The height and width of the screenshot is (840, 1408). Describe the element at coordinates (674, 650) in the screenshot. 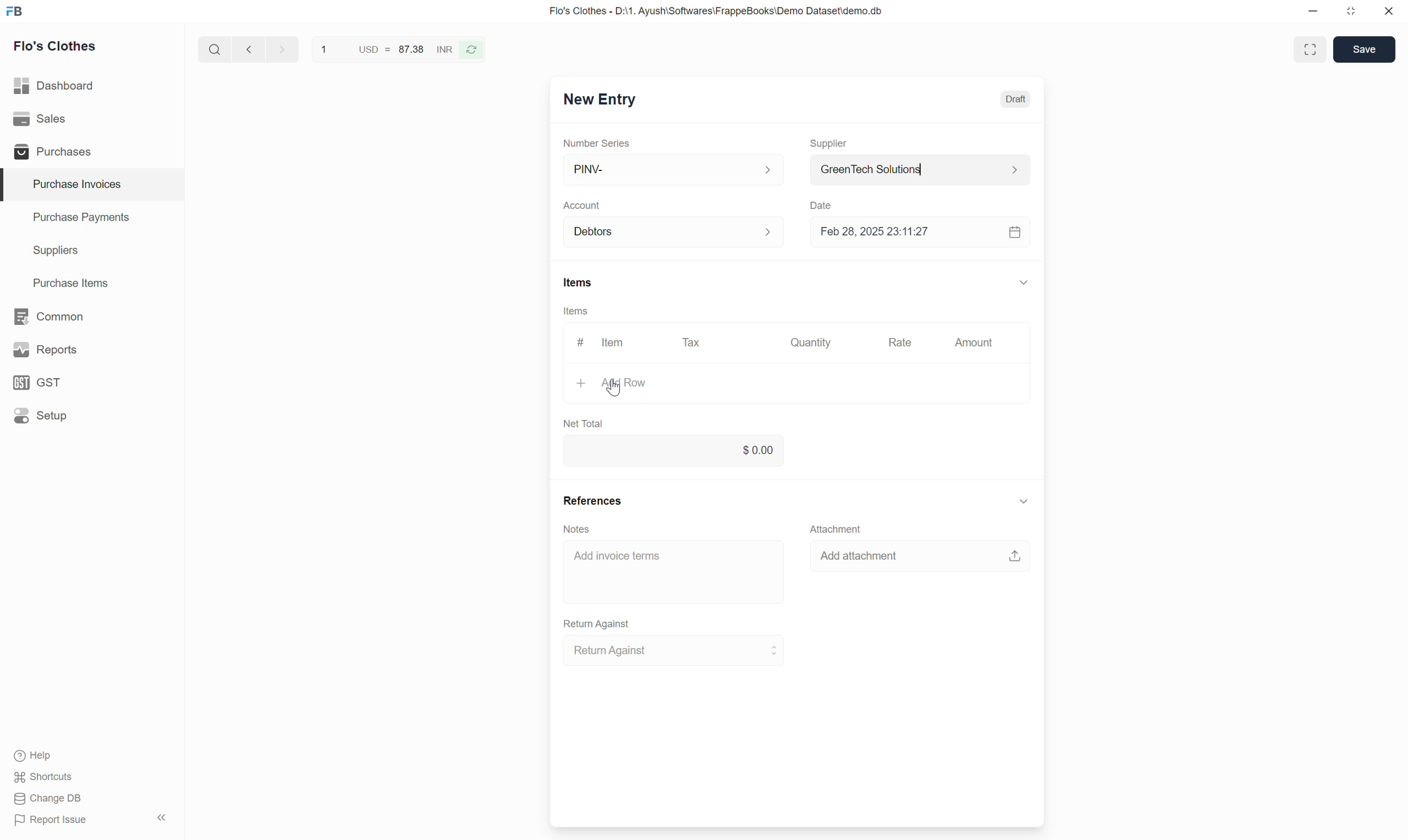

I see `Return Against` at that location.